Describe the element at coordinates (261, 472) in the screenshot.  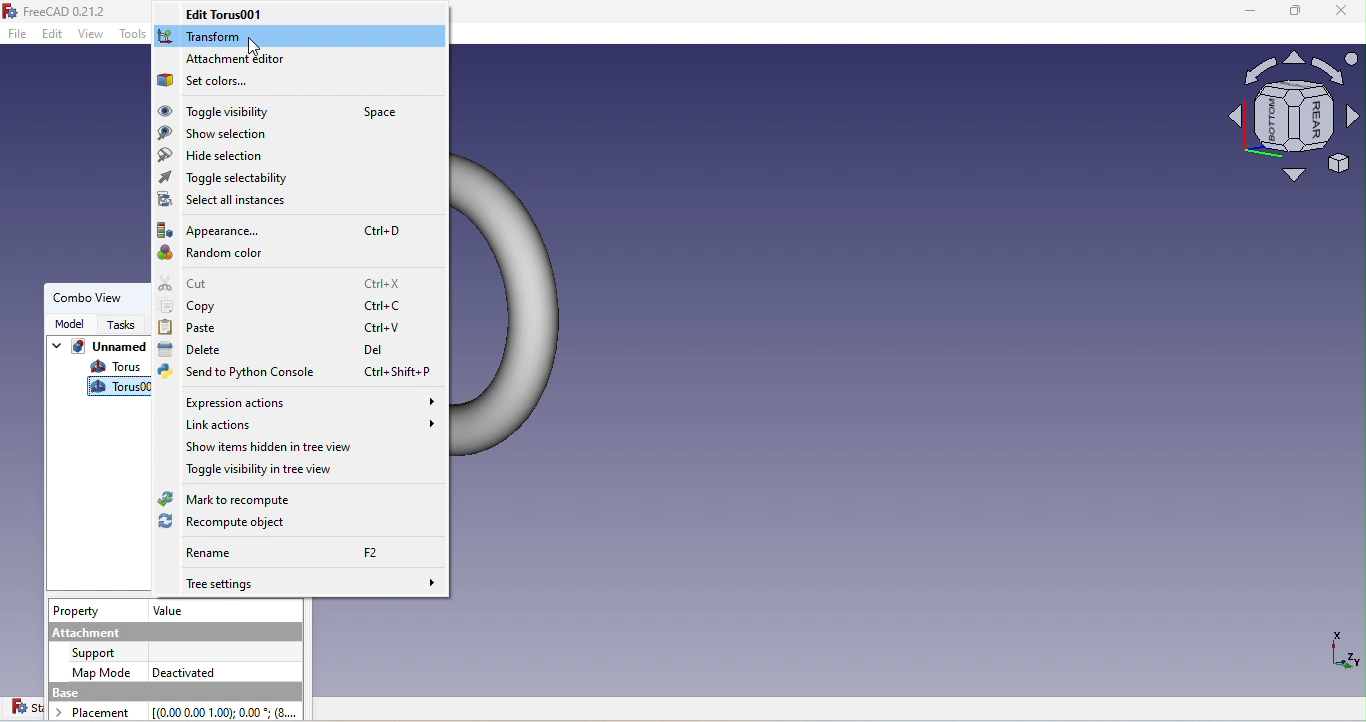
I see `Toggle visibility in tree view` at that location.